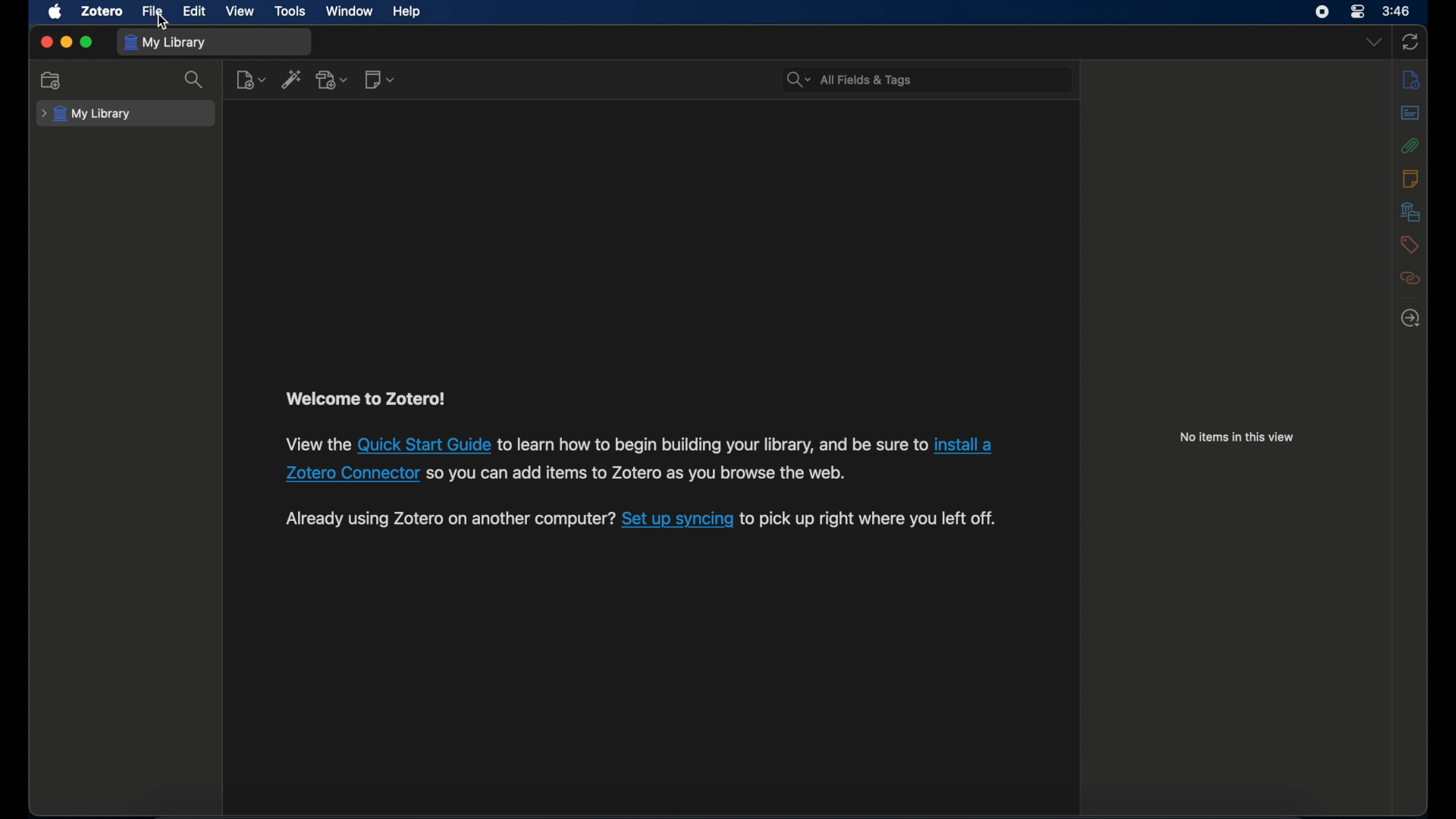  Describe the element at coordinates (65, 42) in the screenshot. I see `minimize` at that location.